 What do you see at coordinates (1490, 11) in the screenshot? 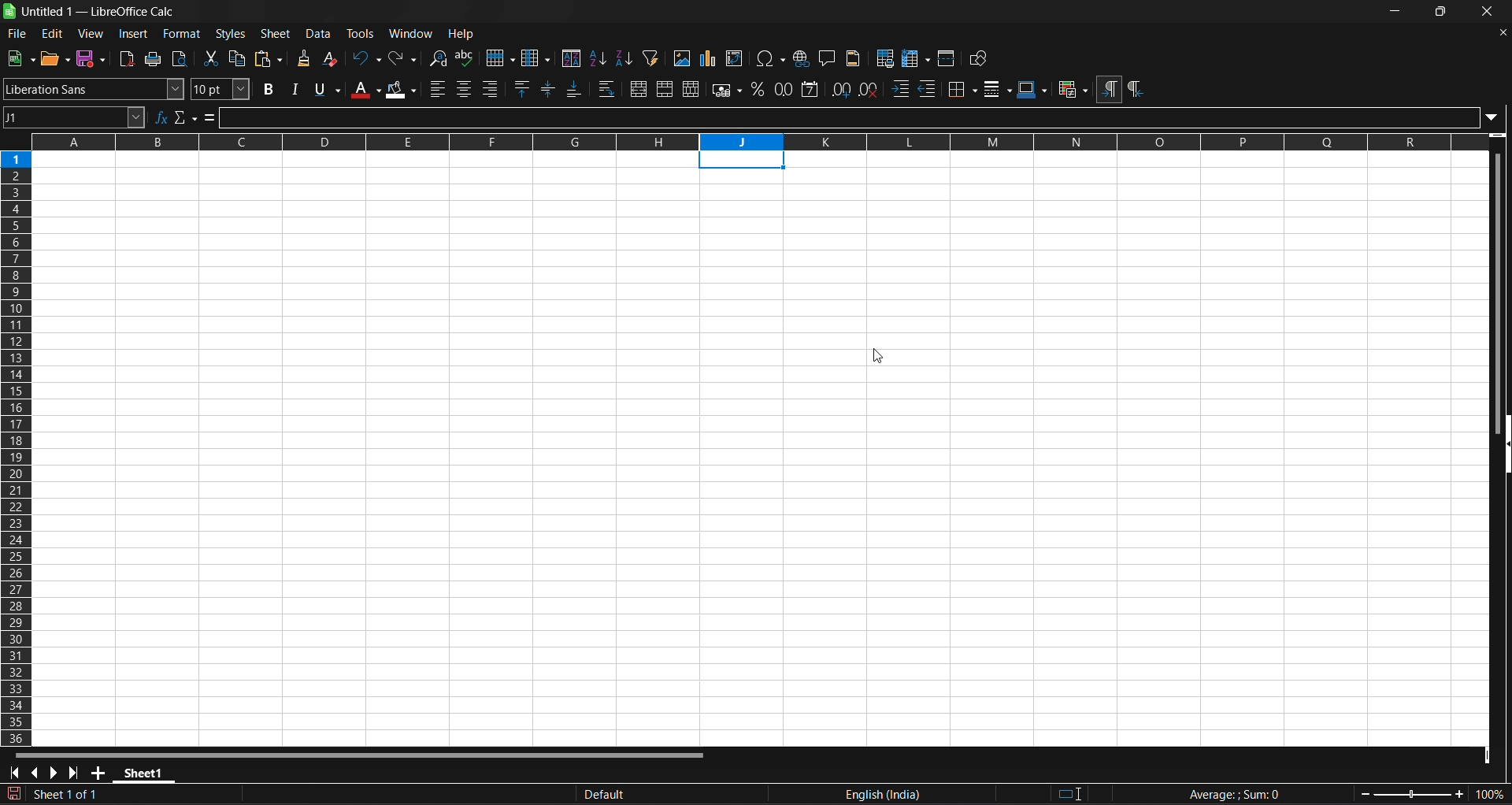
I see `close` at bounding box center [1490, 11].